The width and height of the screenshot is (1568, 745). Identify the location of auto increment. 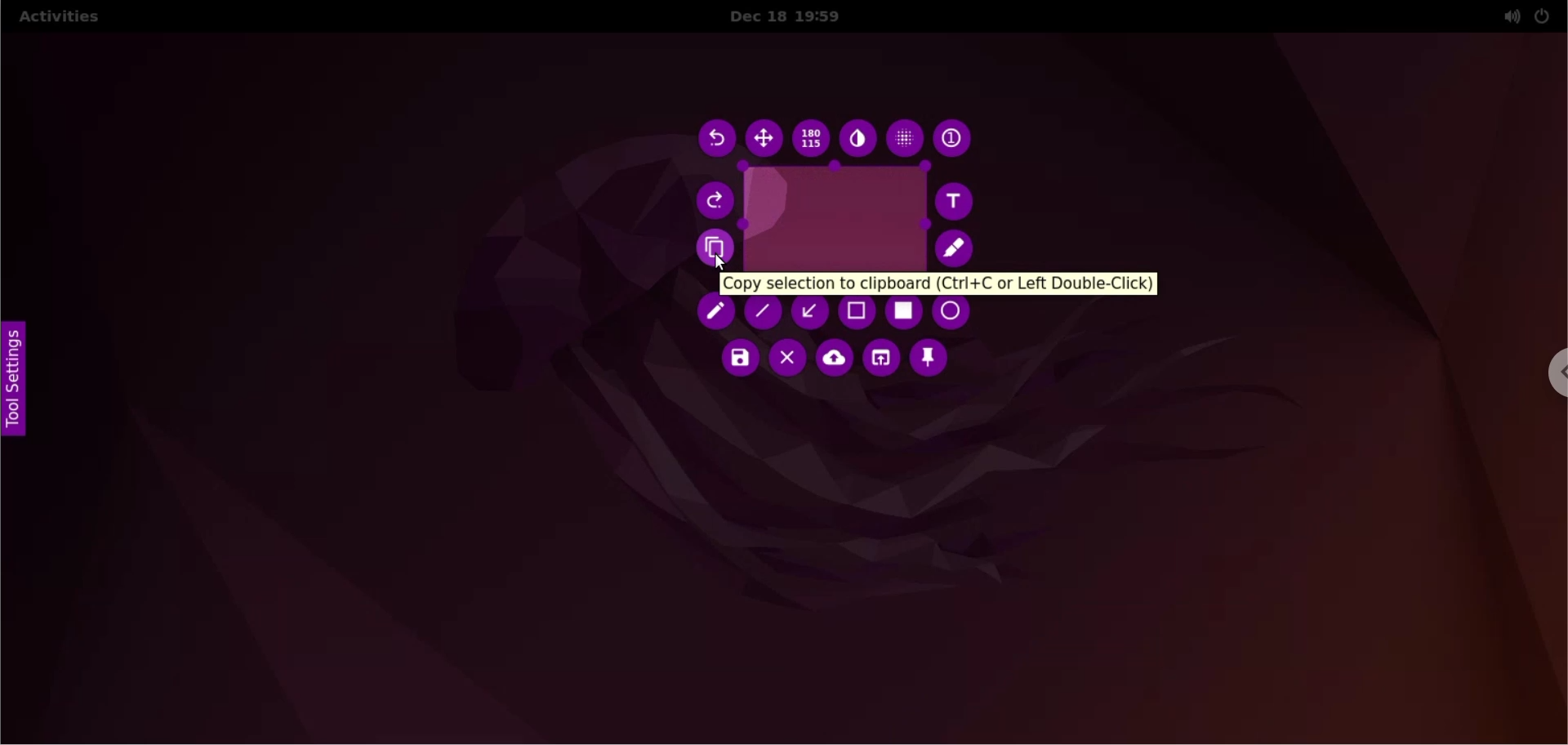
(953, 138).